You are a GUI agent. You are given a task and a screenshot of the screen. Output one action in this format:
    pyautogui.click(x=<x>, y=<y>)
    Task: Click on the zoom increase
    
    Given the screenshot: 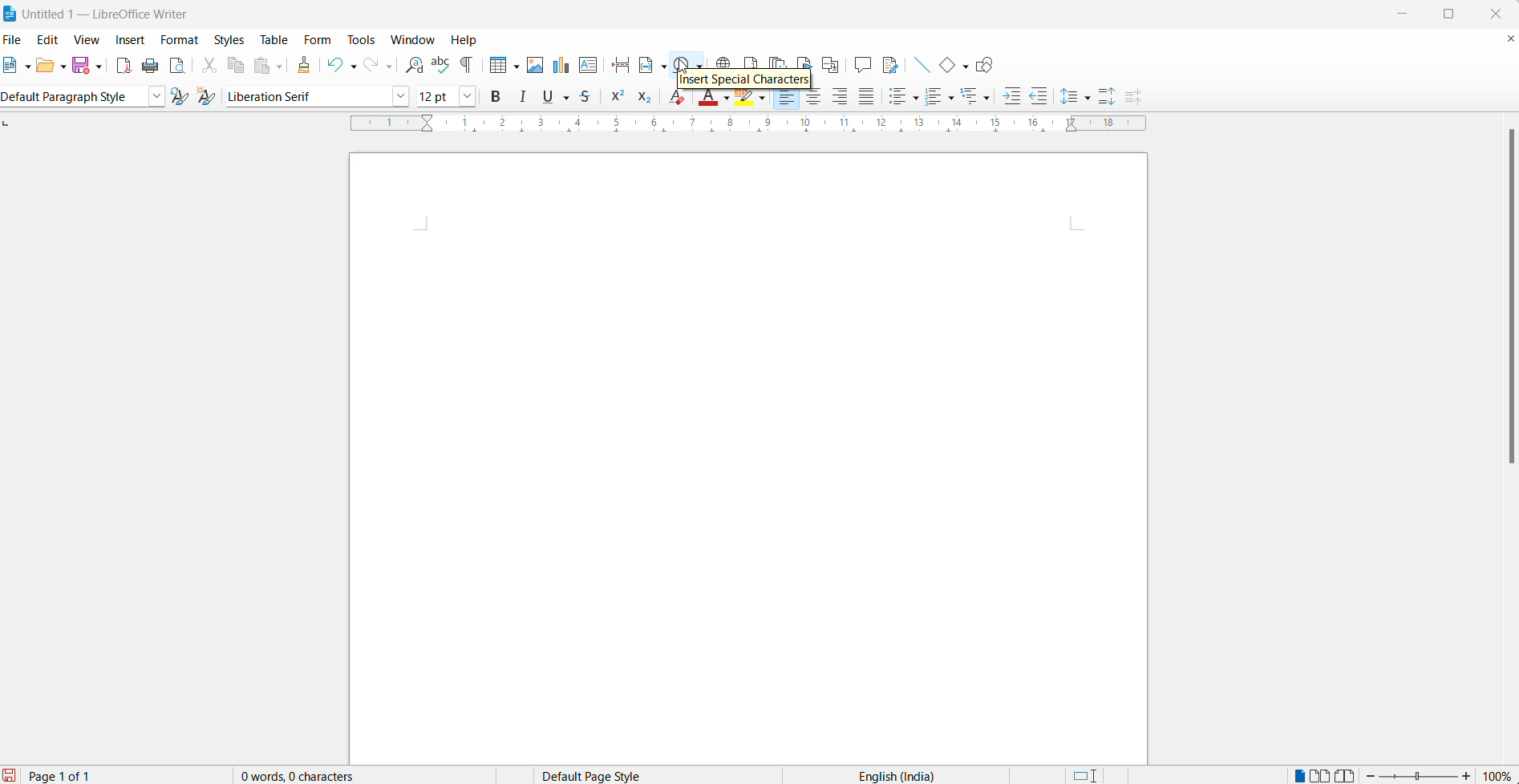 What is the action you would take?
    pyautogui.click(x=1470, y=776)
    